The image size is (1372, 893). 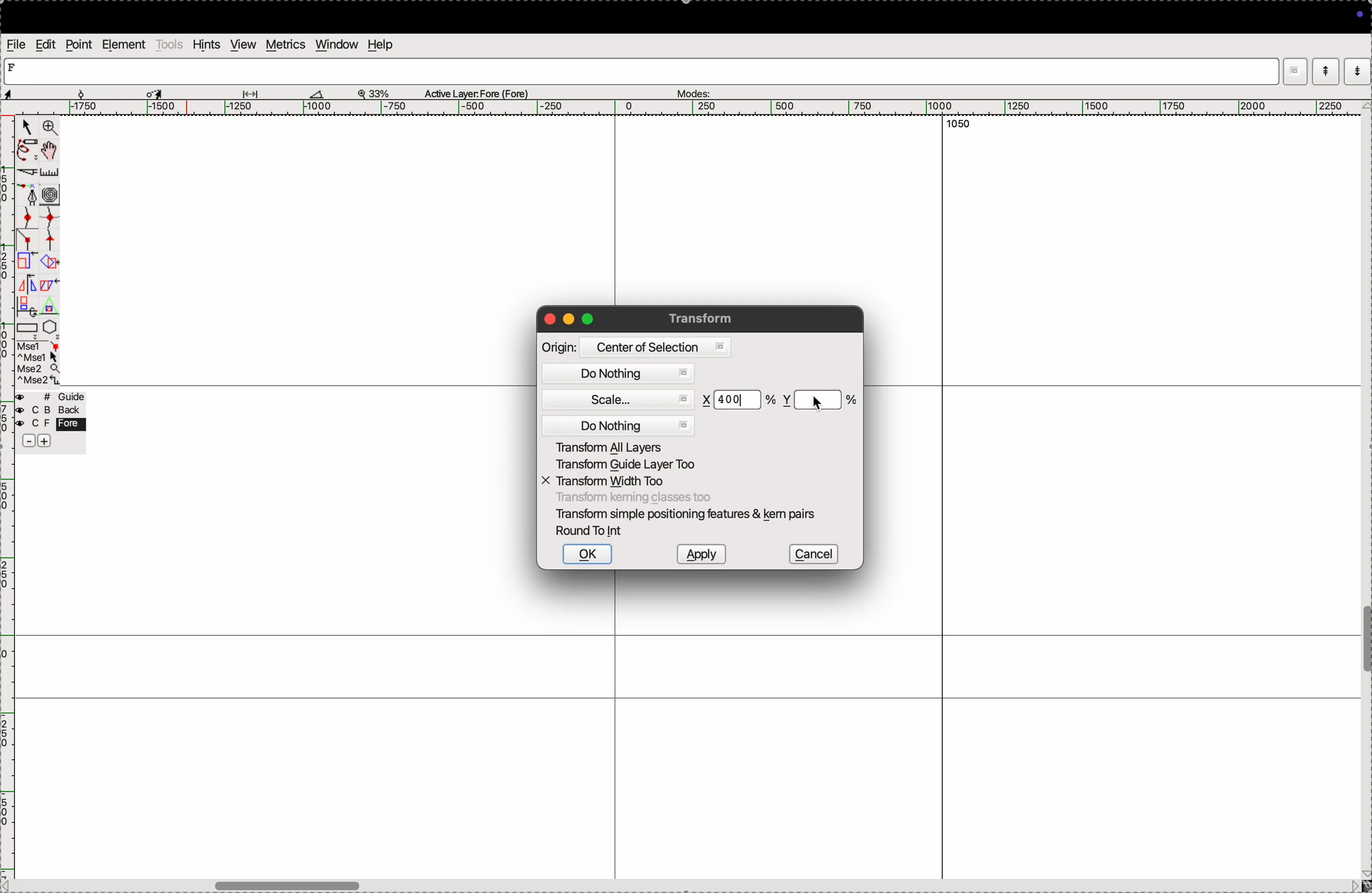 What do you see at coordinates (42, 91) in the screenshot?
I see `aspects` at bounding box center [42, 91].